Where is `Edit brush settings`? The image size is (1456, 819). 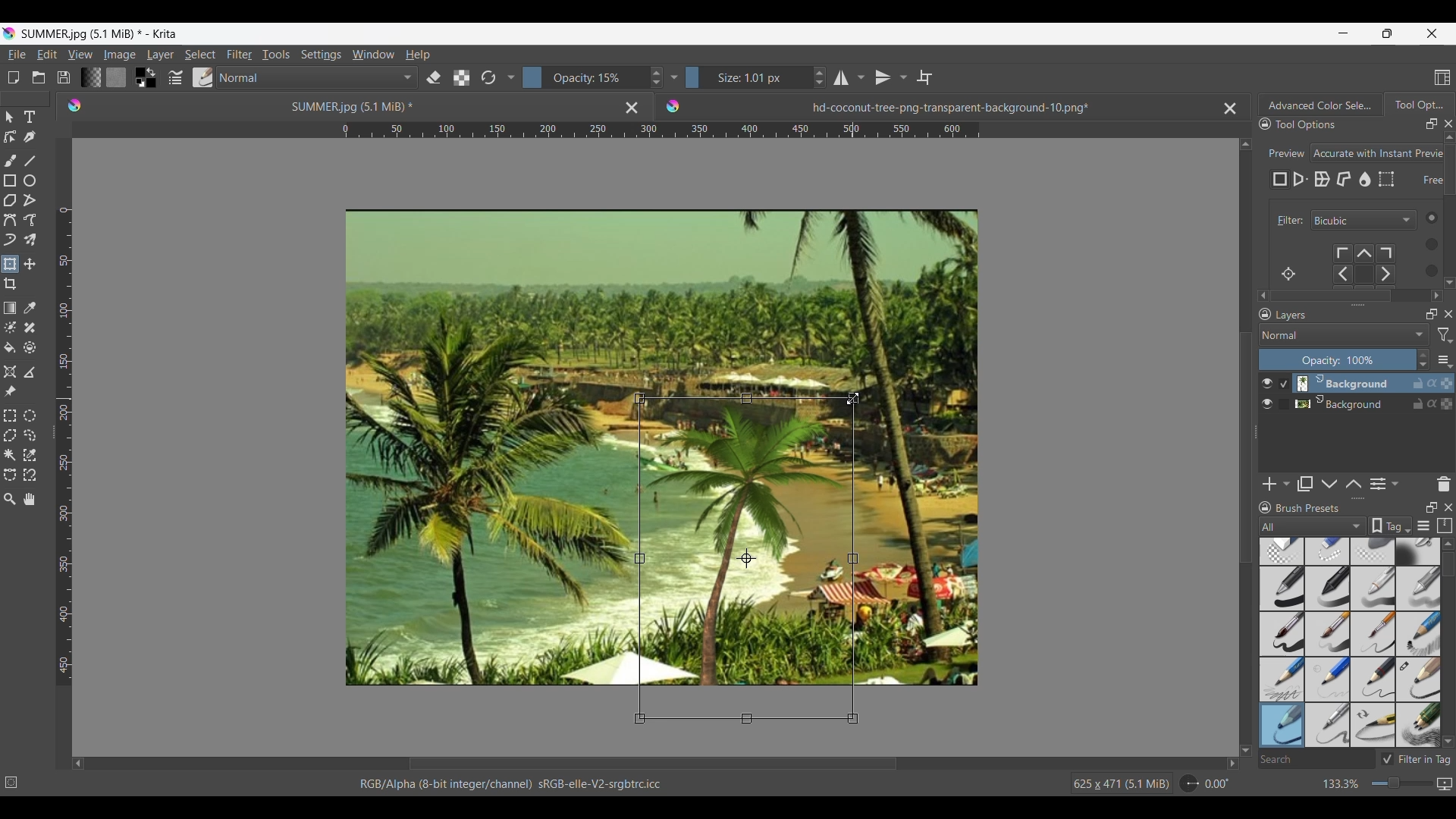
Edit brush settings is located at coordinates (174, 78).